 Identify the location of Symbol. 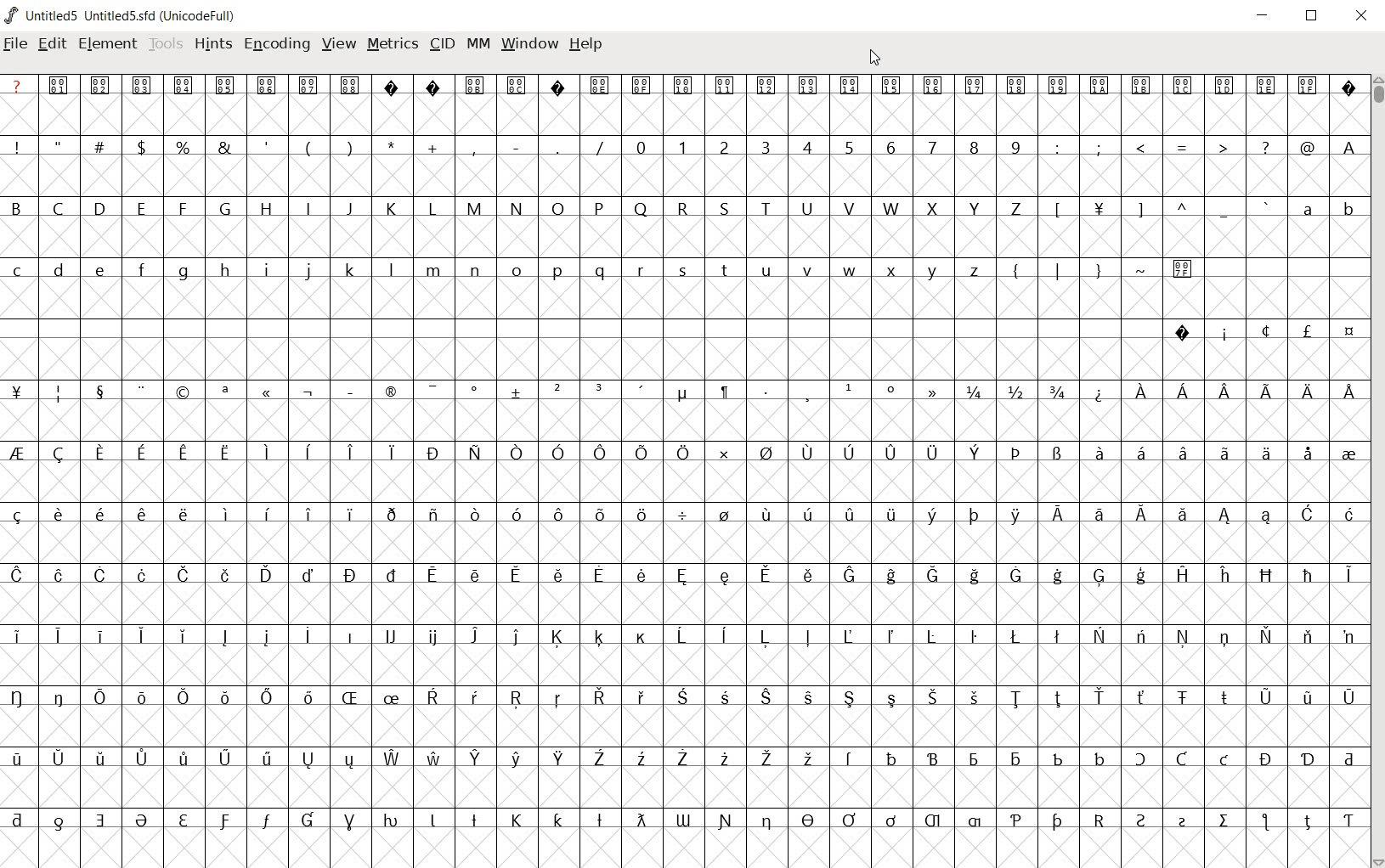
(143, 84).